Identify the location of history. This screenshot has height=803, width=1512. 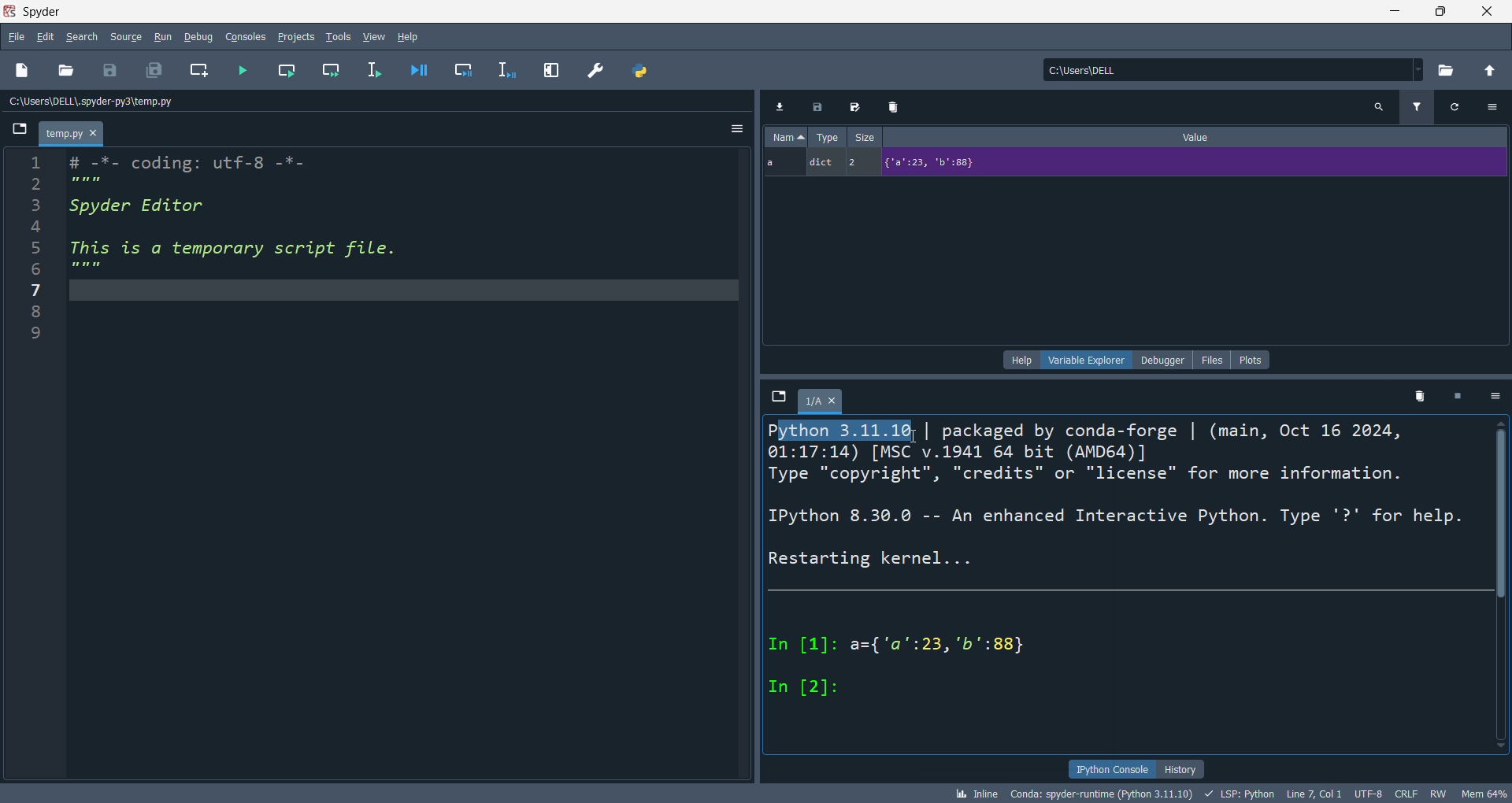
(1181, 768).